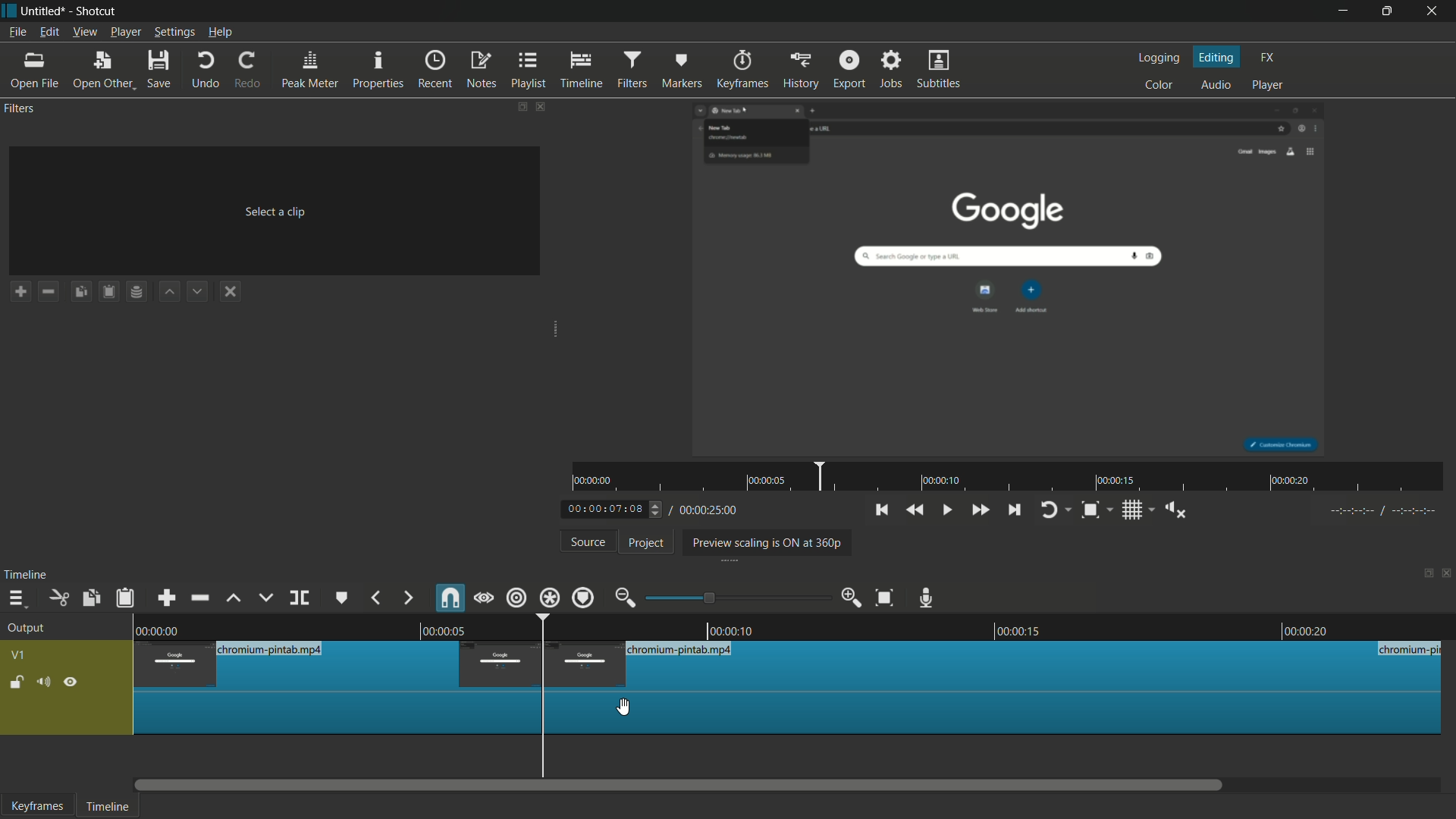  Describe the element at coordinates (520, 107) in the screenshot. I see `change layout` at that location.